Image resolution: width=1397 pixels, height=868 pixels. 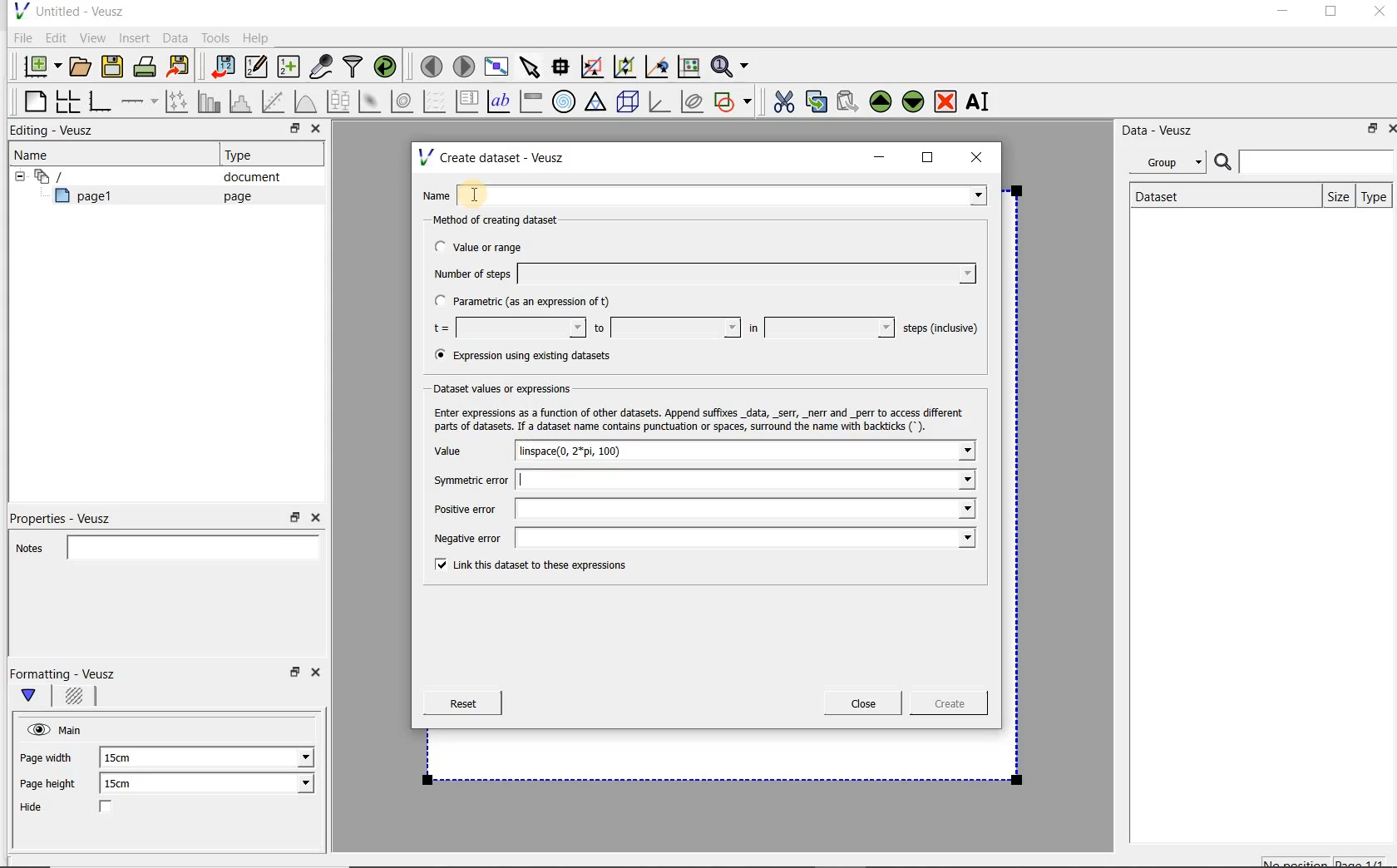 What do you see at coordinates (56, 131) in the screenshot?
I see `Editing - Veusz` at bounding box center [56, 131].